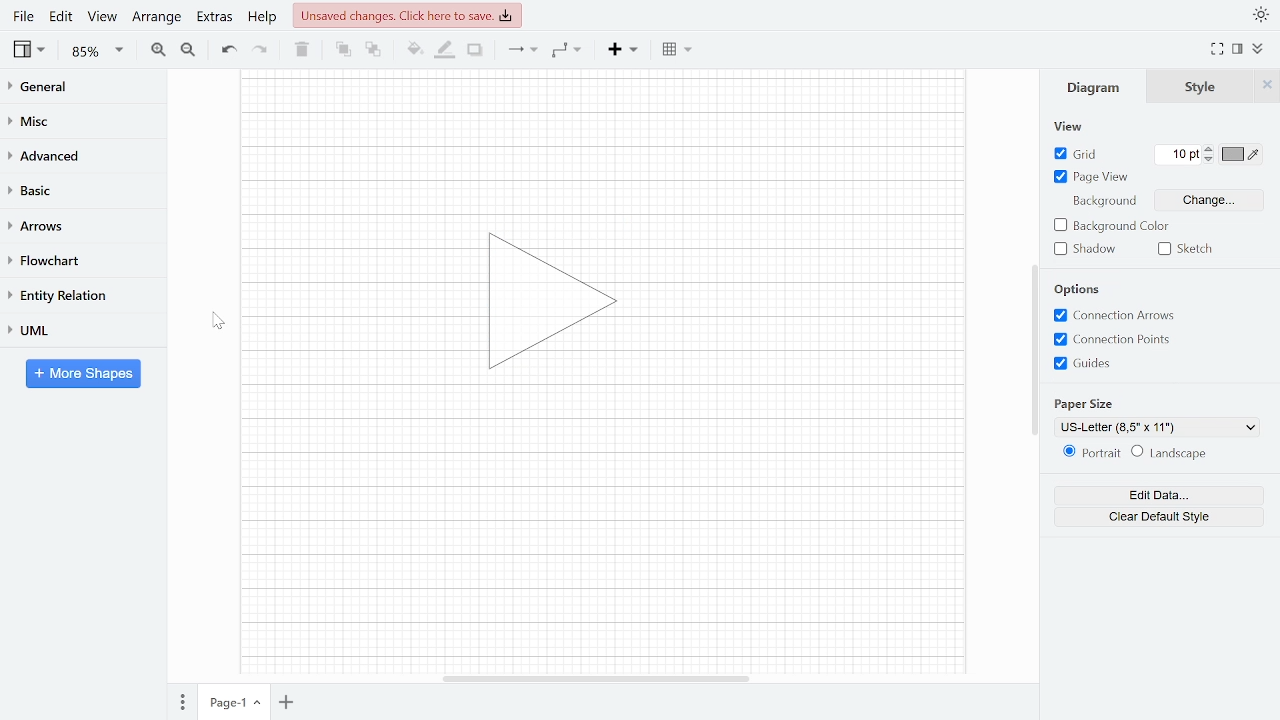  What do you see at coordinates (290, 704) in the screenshot?
I see `Add page` at bounding box center [290, 704].